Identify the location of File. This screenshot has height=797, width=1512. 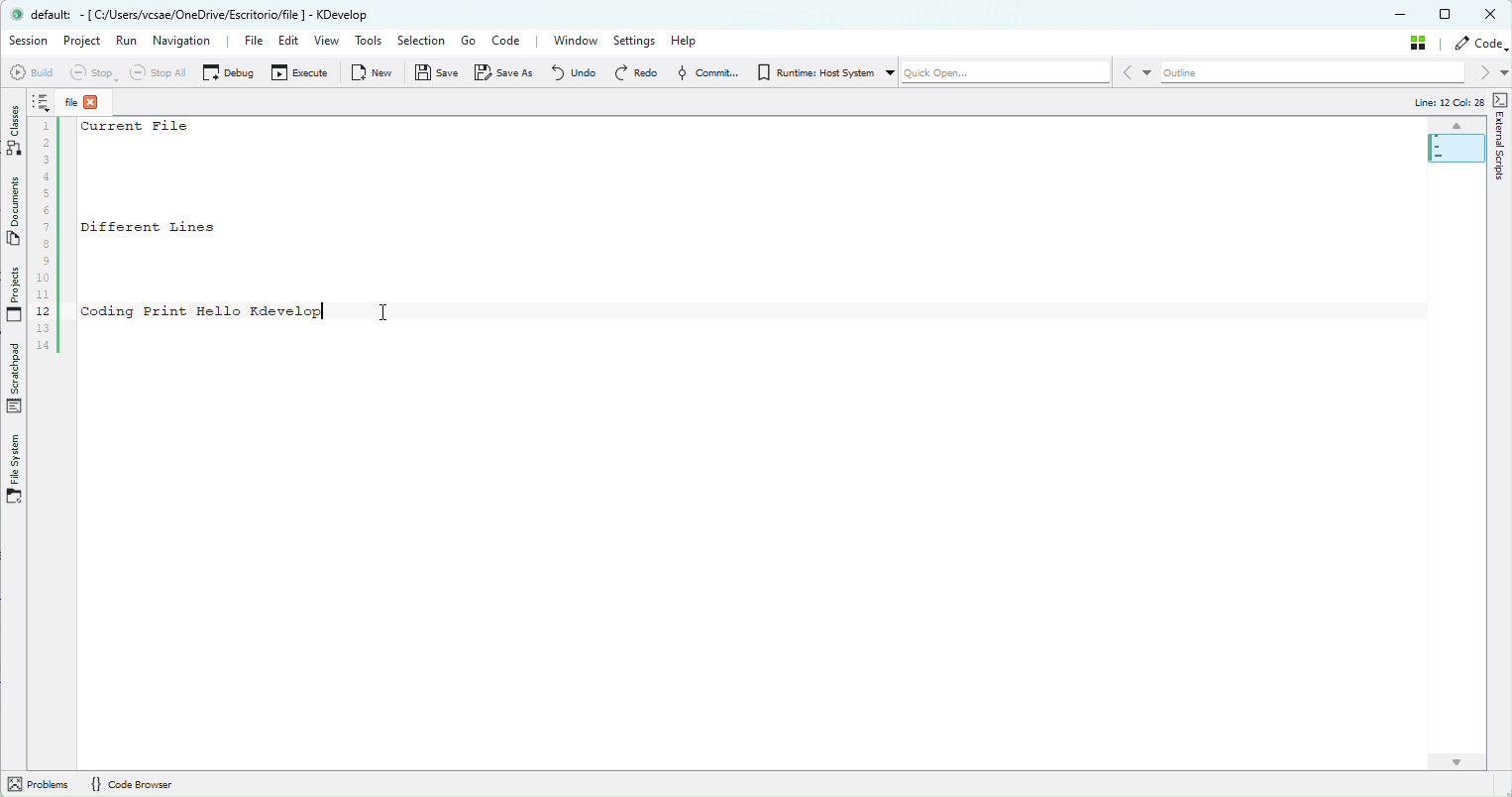
(85, 102).